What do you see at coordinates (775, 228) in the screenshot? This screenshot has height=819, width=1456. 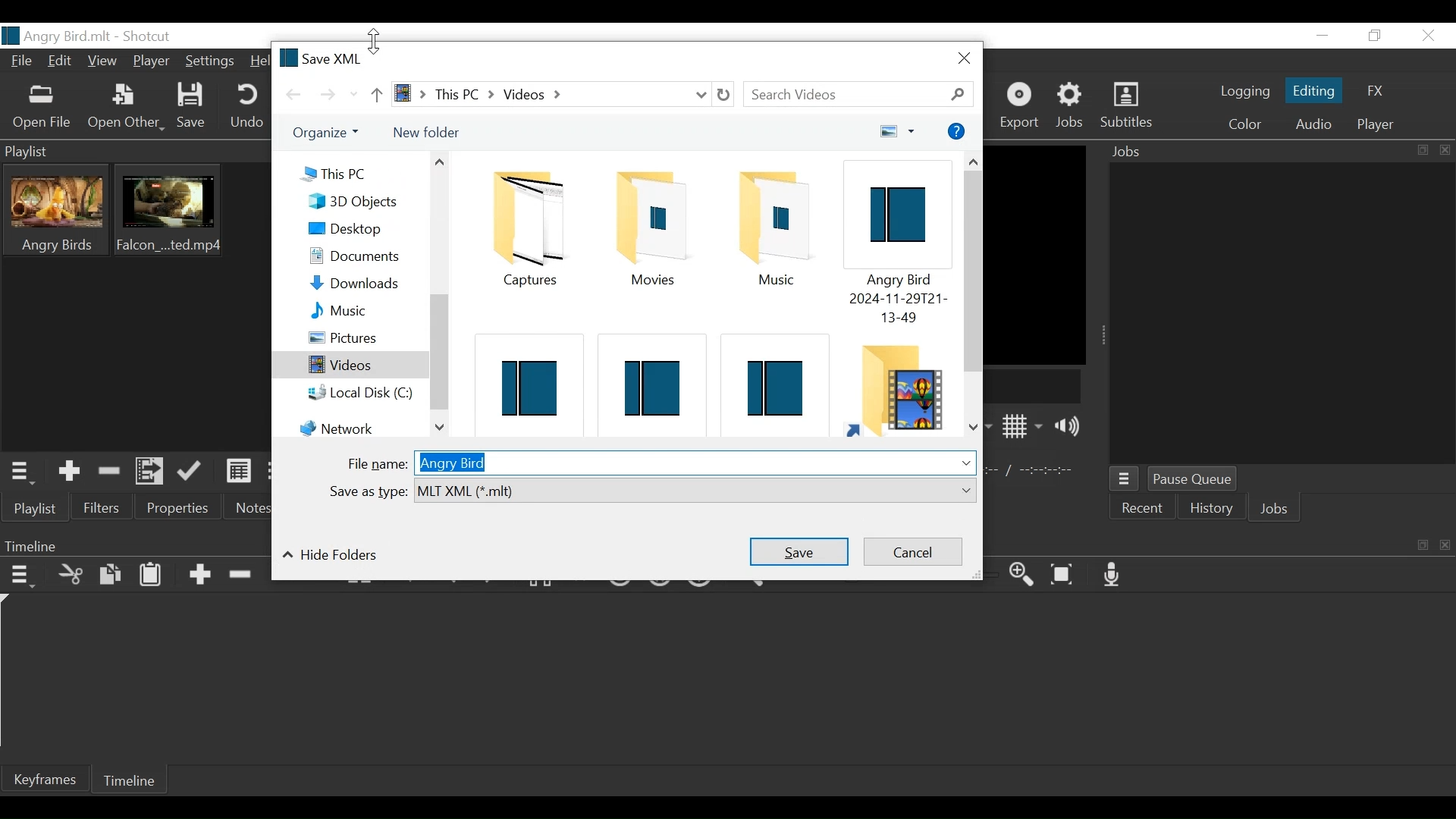 I see `Musiic` at bounding box center [775, 228].